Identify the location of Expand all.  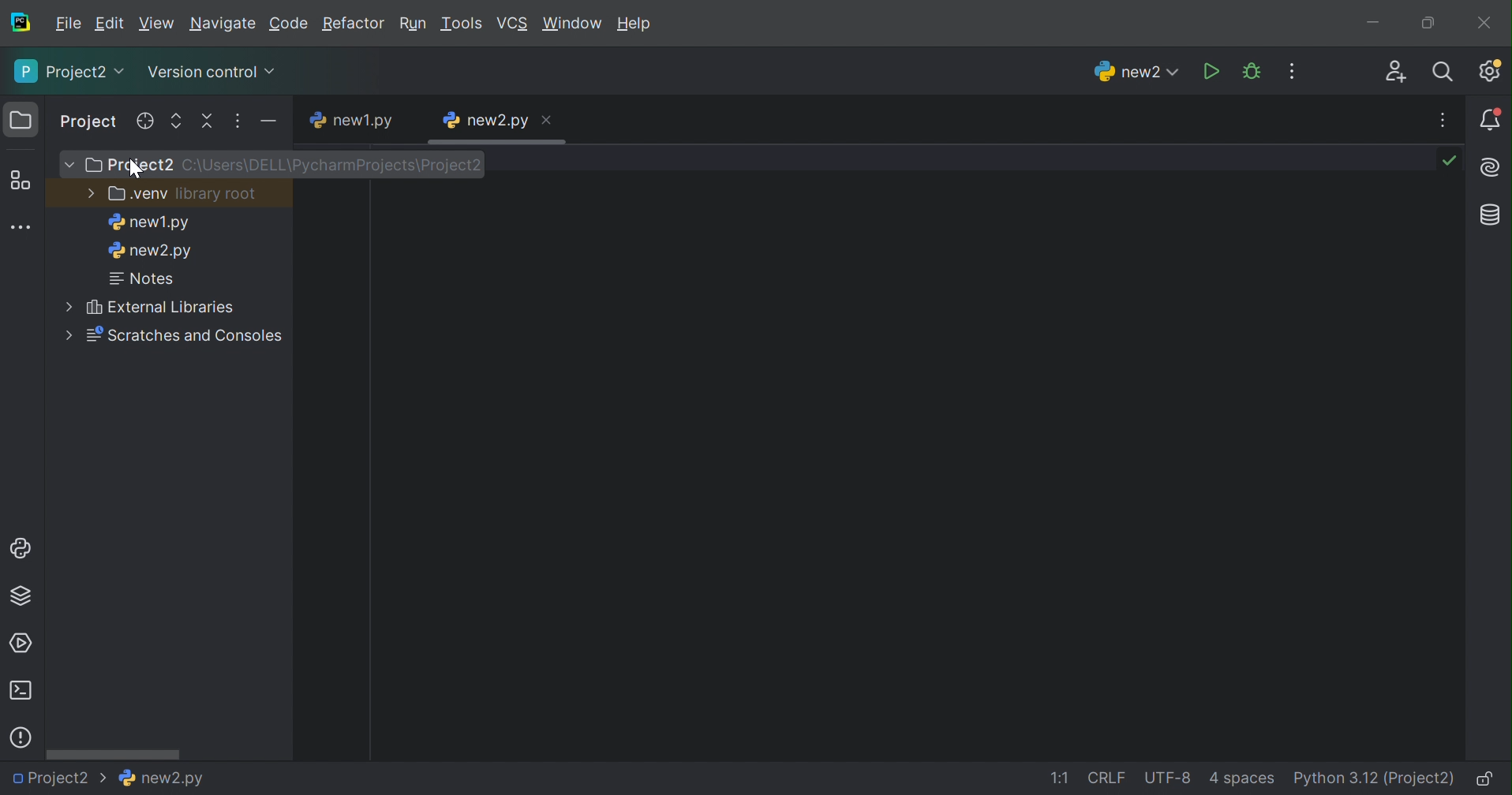
(178, 123).